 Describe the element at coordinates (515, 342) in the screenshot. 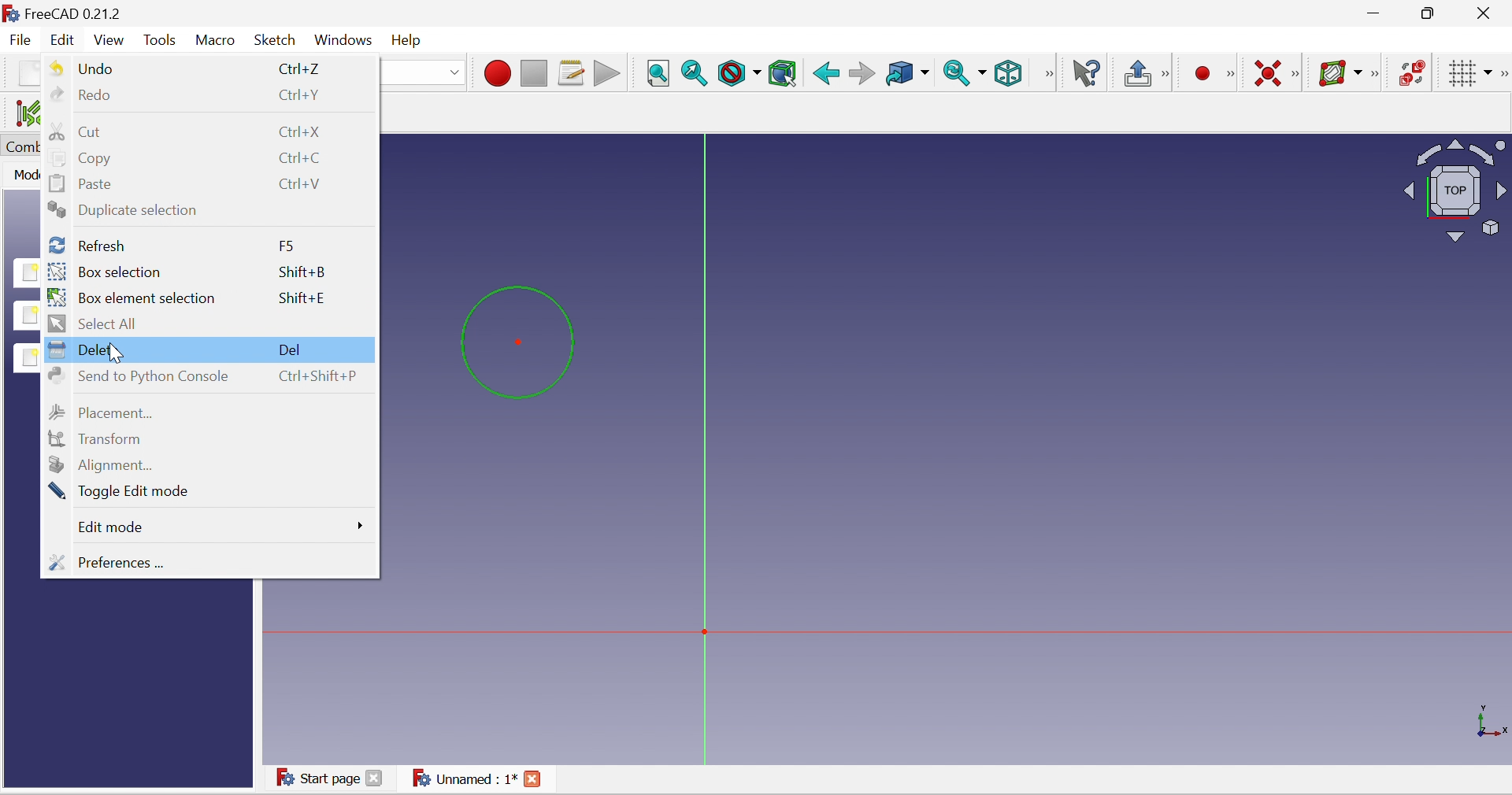

I see `Circle` at that location.